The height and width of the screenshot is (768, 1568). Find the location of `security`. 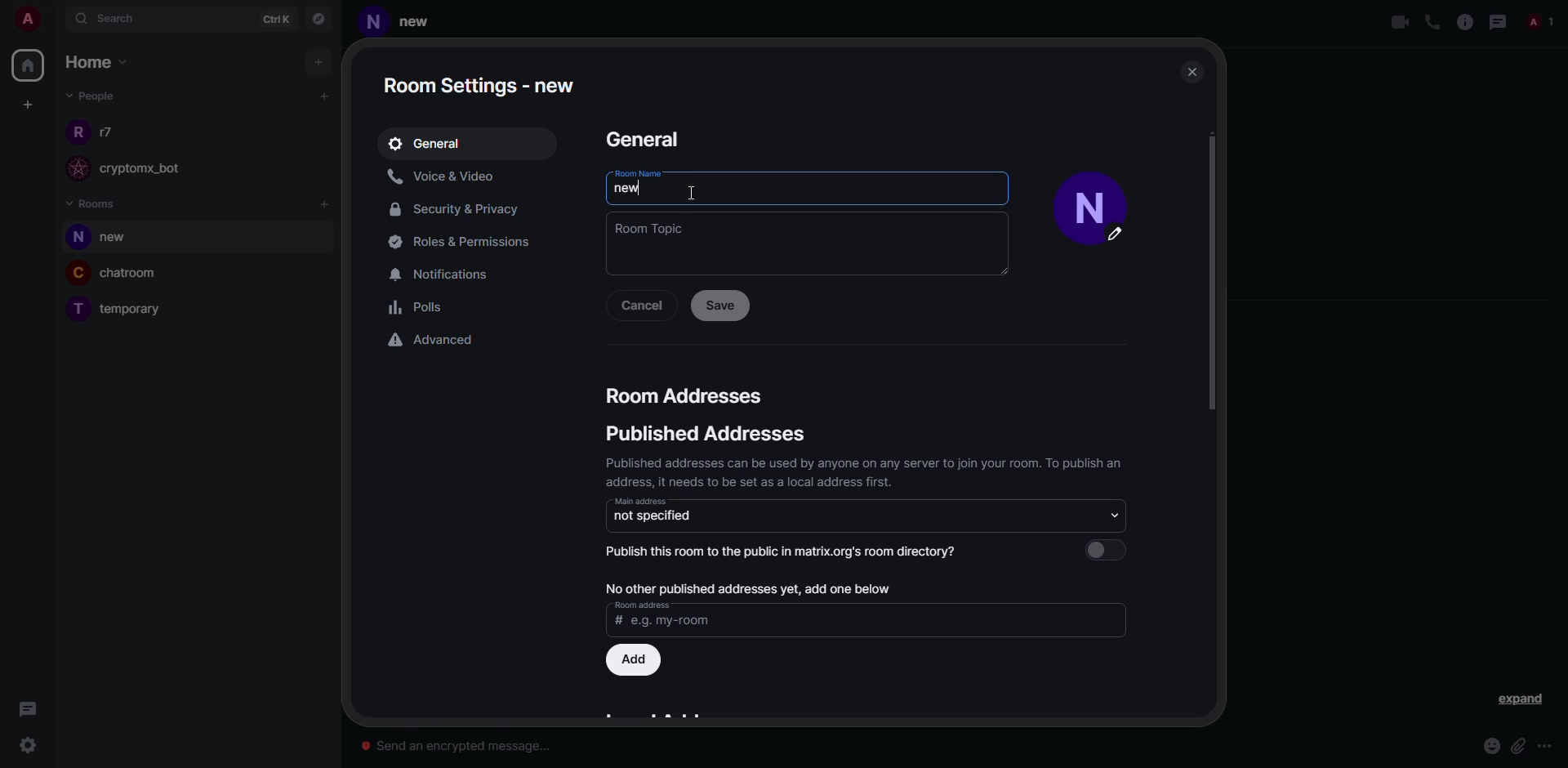

security is located at coordinates (460, 211).